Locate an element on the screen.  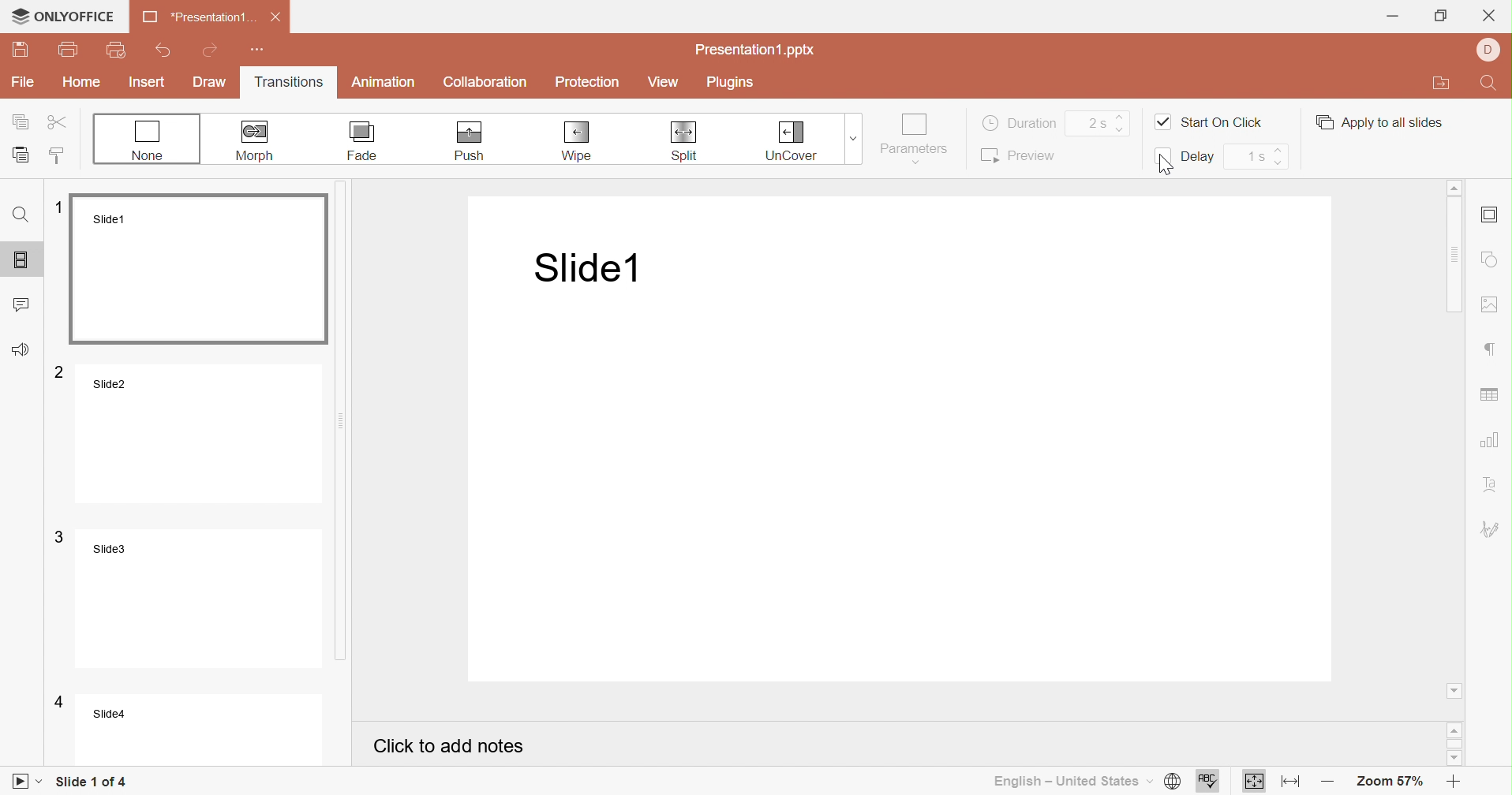
Wipe is located at coordinates (577, 140).